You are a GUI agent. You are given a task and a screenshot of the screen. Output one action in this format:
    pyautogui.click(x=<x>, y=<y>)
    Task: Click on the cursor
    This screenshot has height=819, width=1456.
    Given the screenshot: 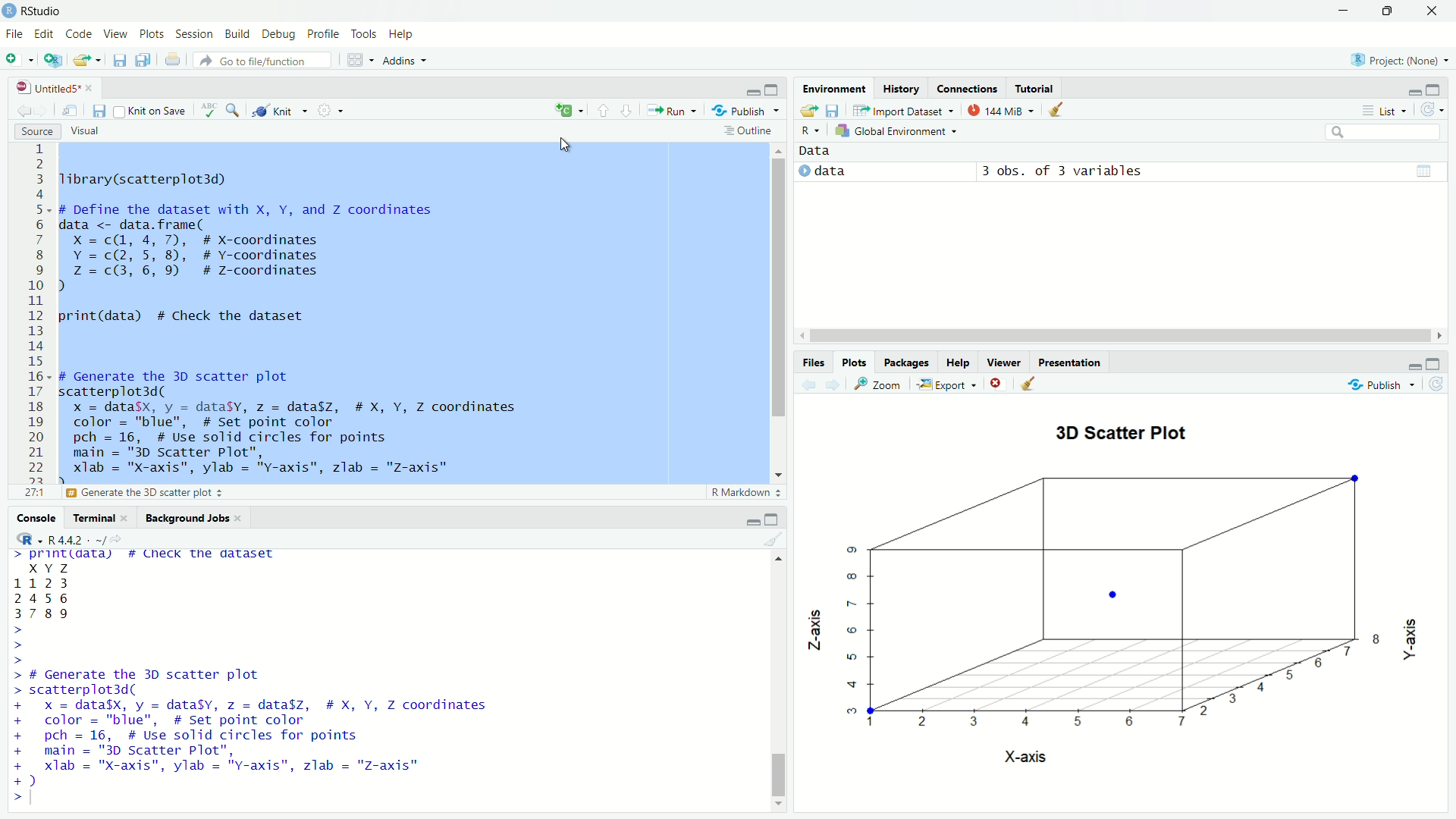 What is the action you would take?
    pyautogui.click(x=564, y=145)
    